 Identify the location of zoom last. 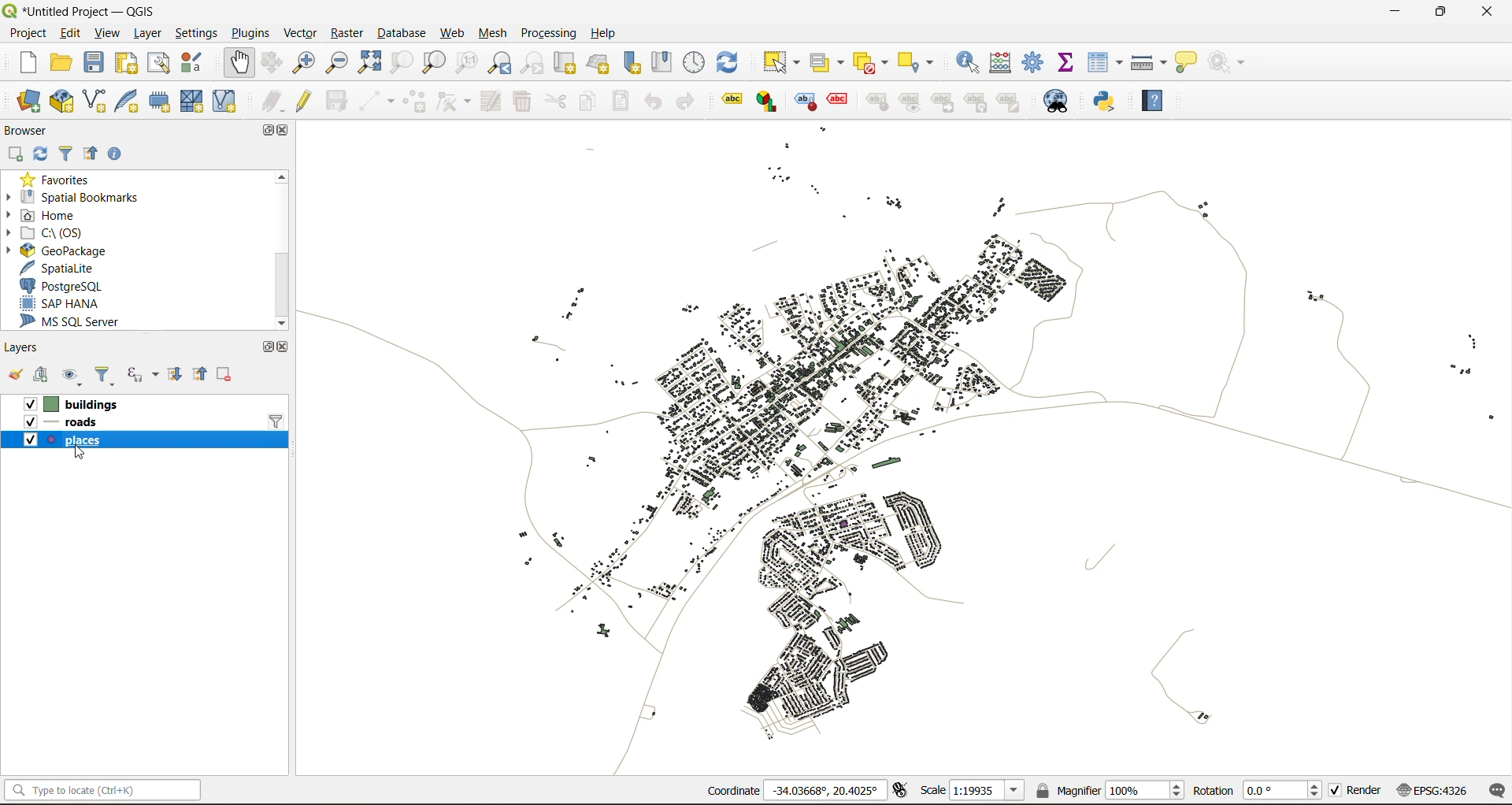
(499, 62).